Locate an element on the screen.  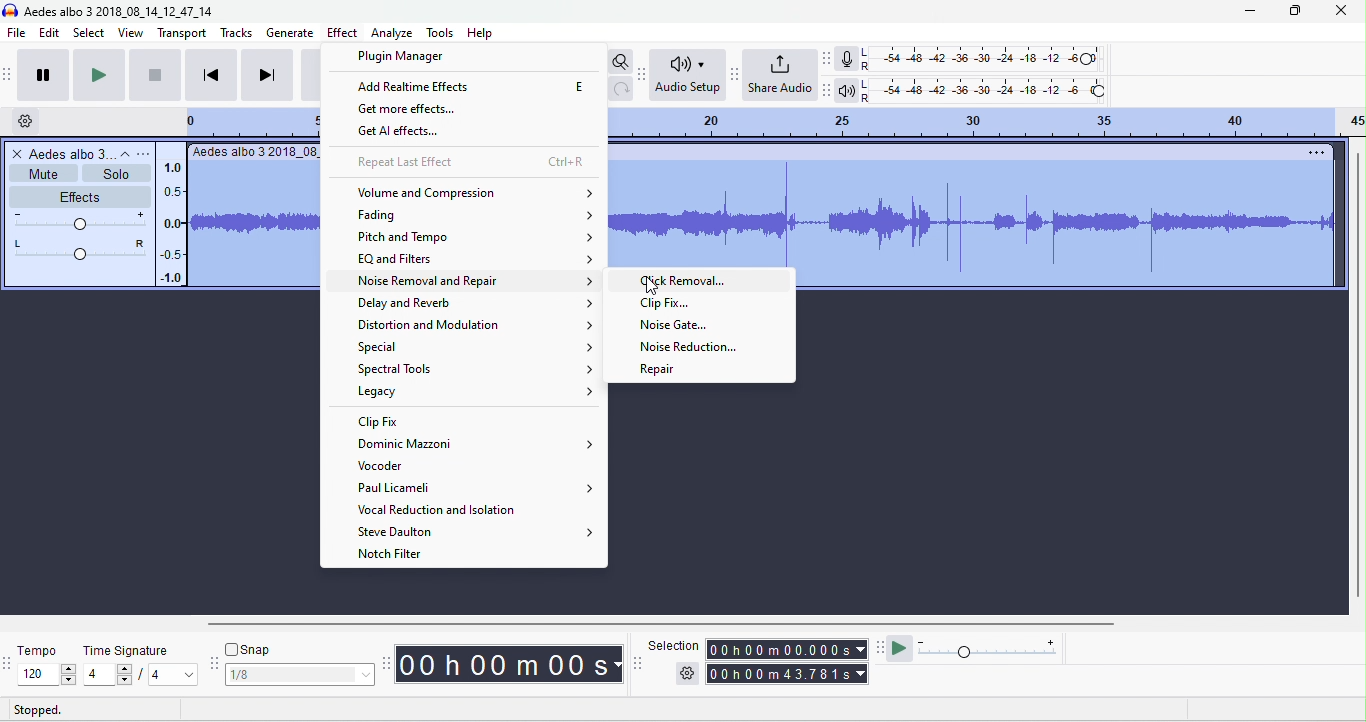
playback level is located at coordinates (994, 89).